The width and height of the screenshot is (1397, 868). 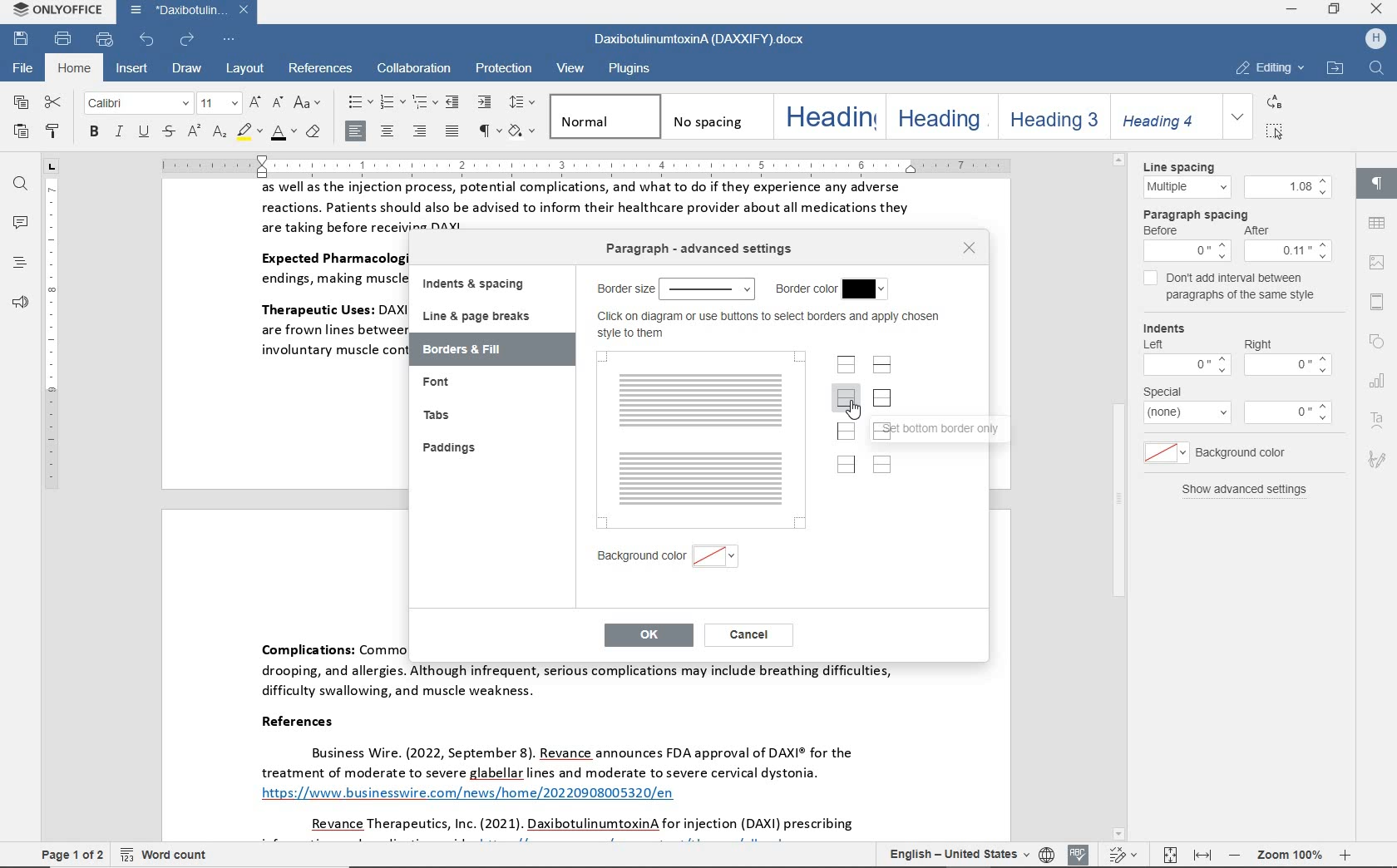 I want to click on set right border only, so click(x=846, y=463).